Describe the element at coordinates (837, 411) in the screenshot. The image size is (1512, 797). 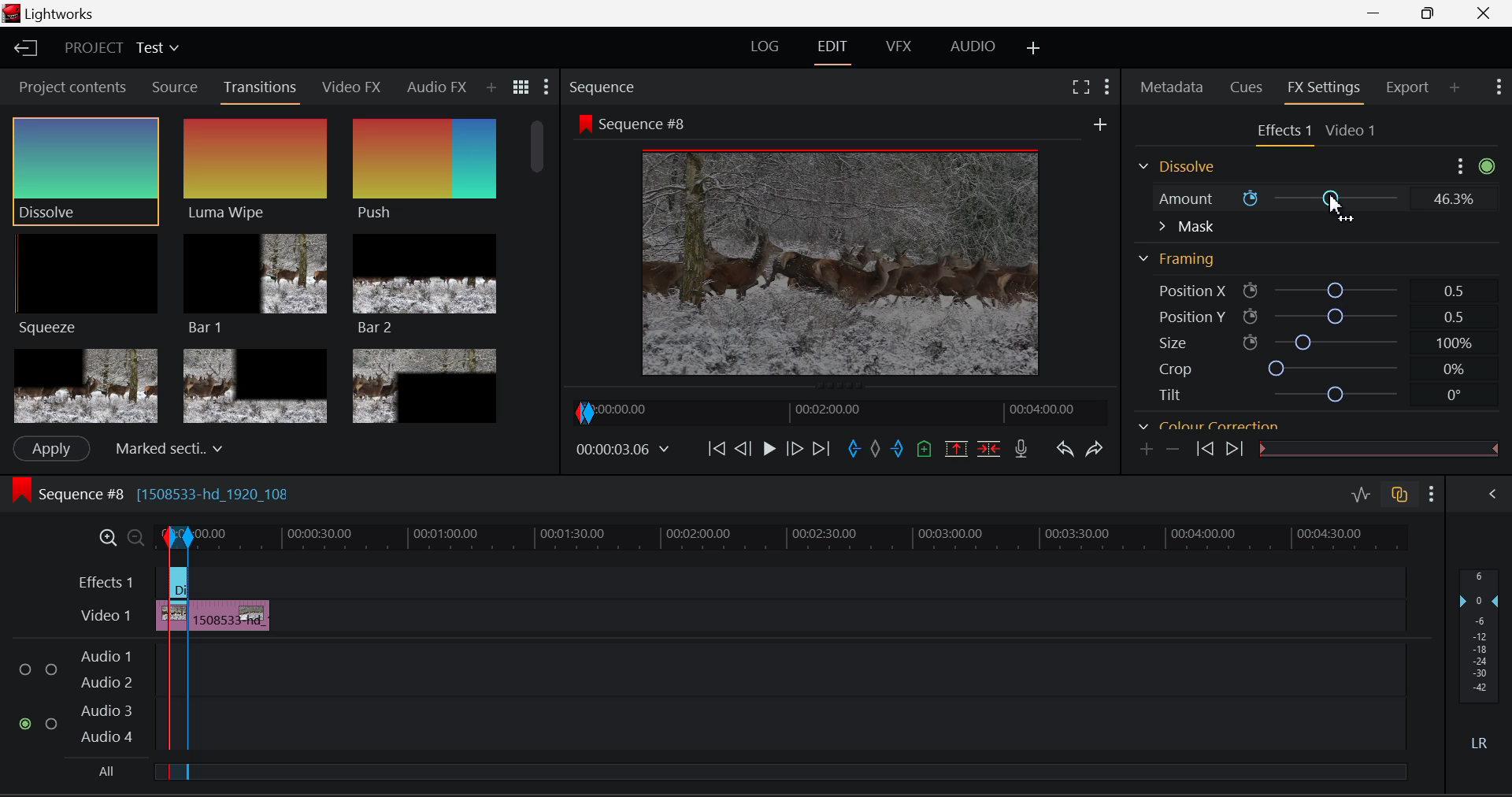
I see `Project Timeline Navigator` at that location.